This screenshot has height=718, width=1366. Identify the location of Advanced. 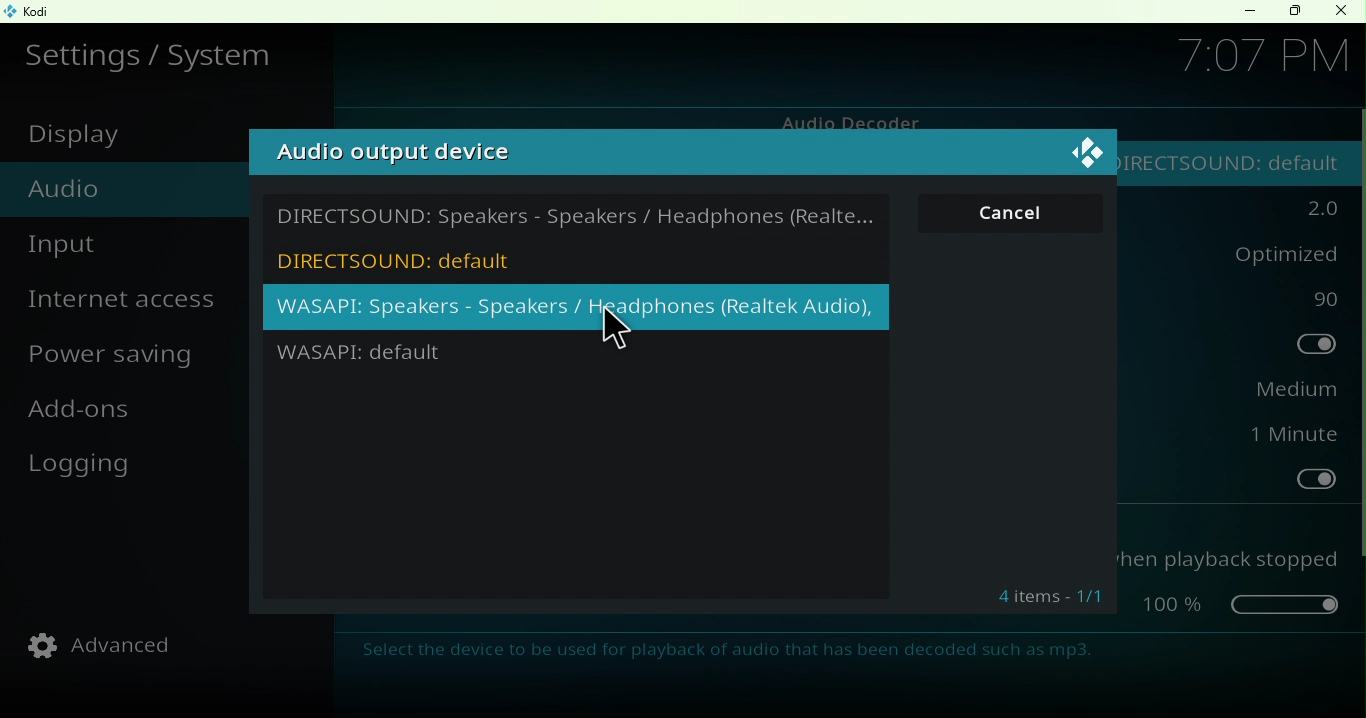
(102, 647).